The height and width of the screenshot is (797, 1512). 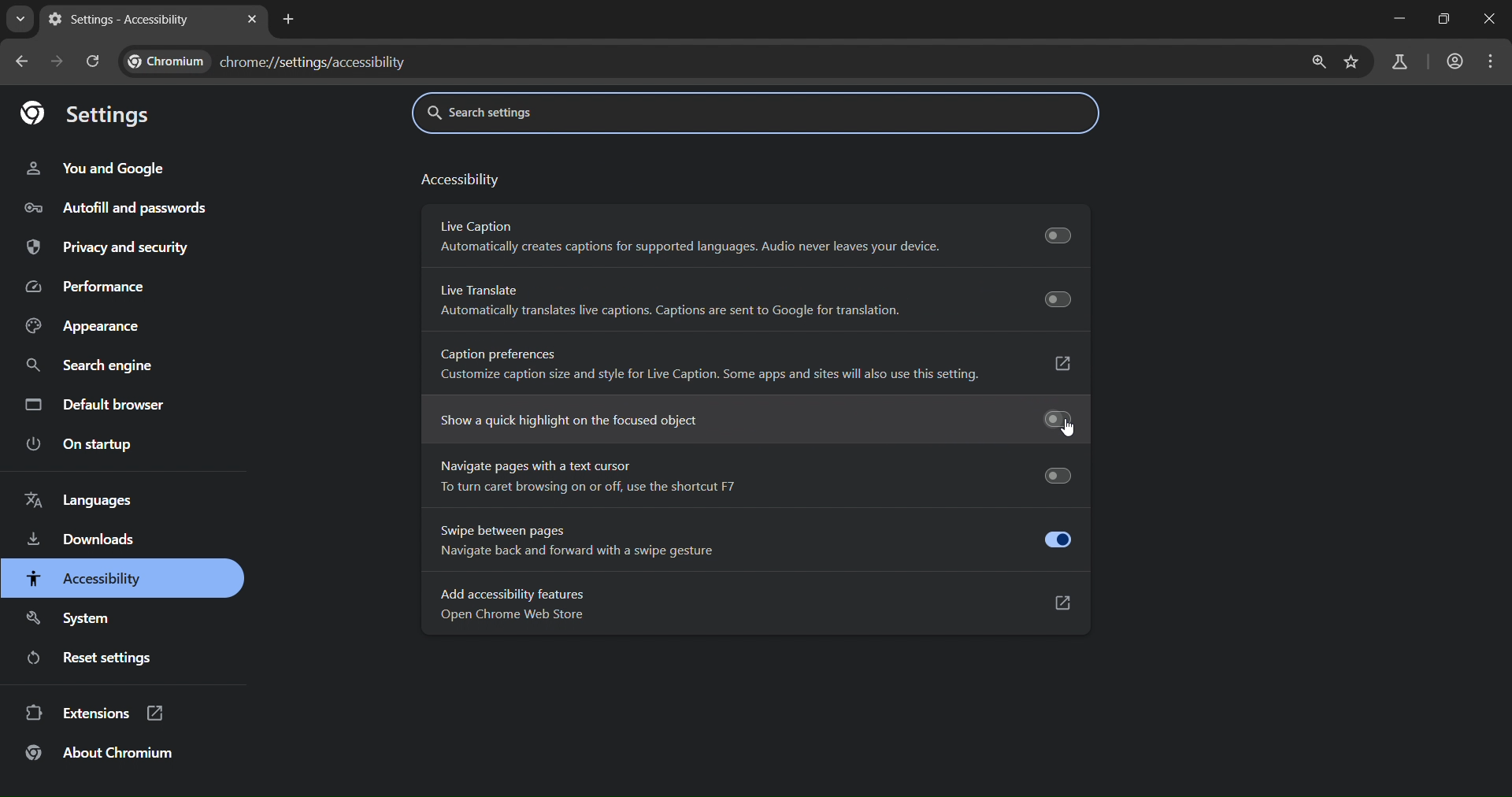 I want to click on menu, so click(x=1494, y=61).